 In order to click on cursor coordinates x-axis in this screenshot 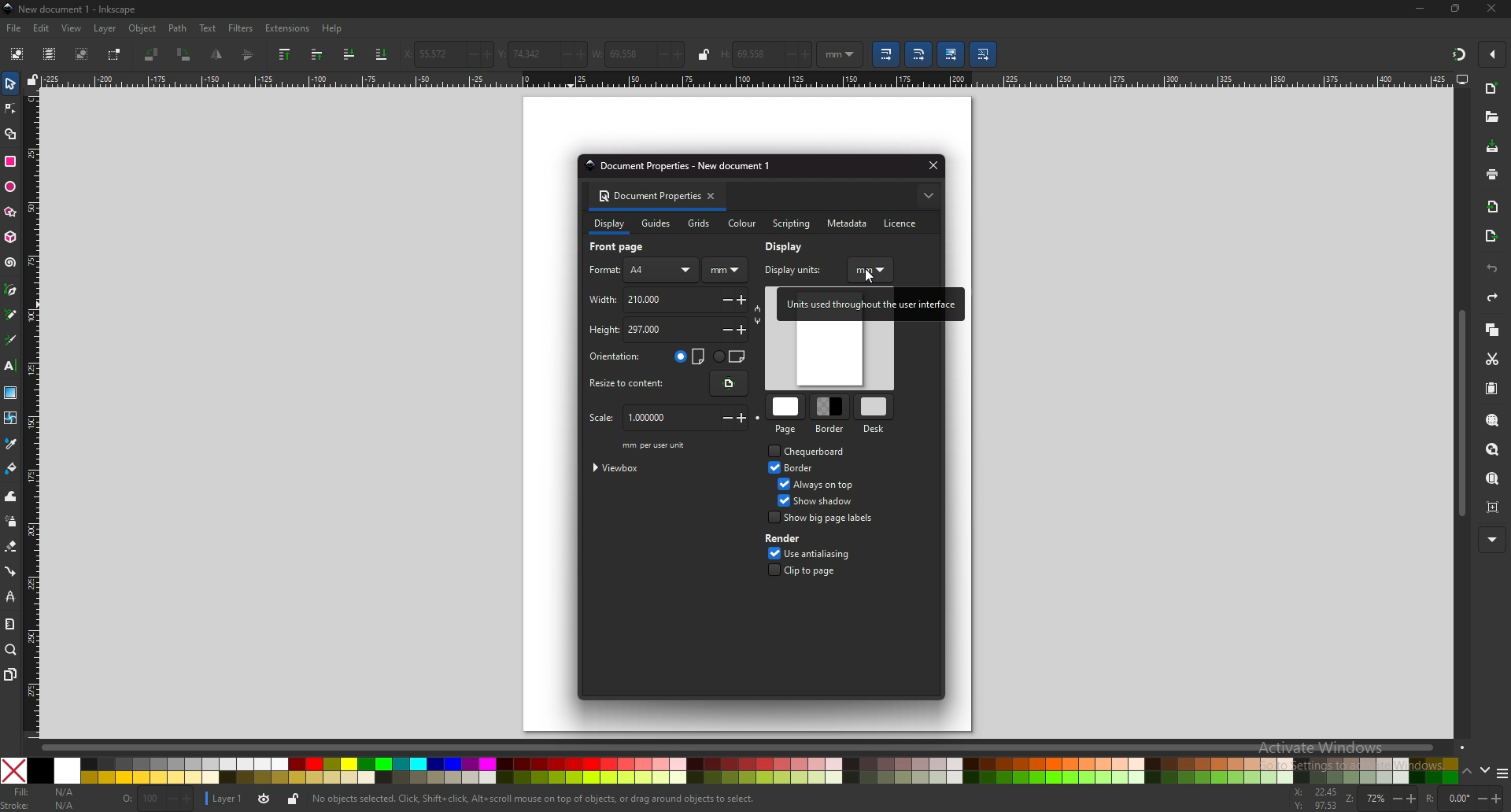, I will do `click(1313, 793)`.